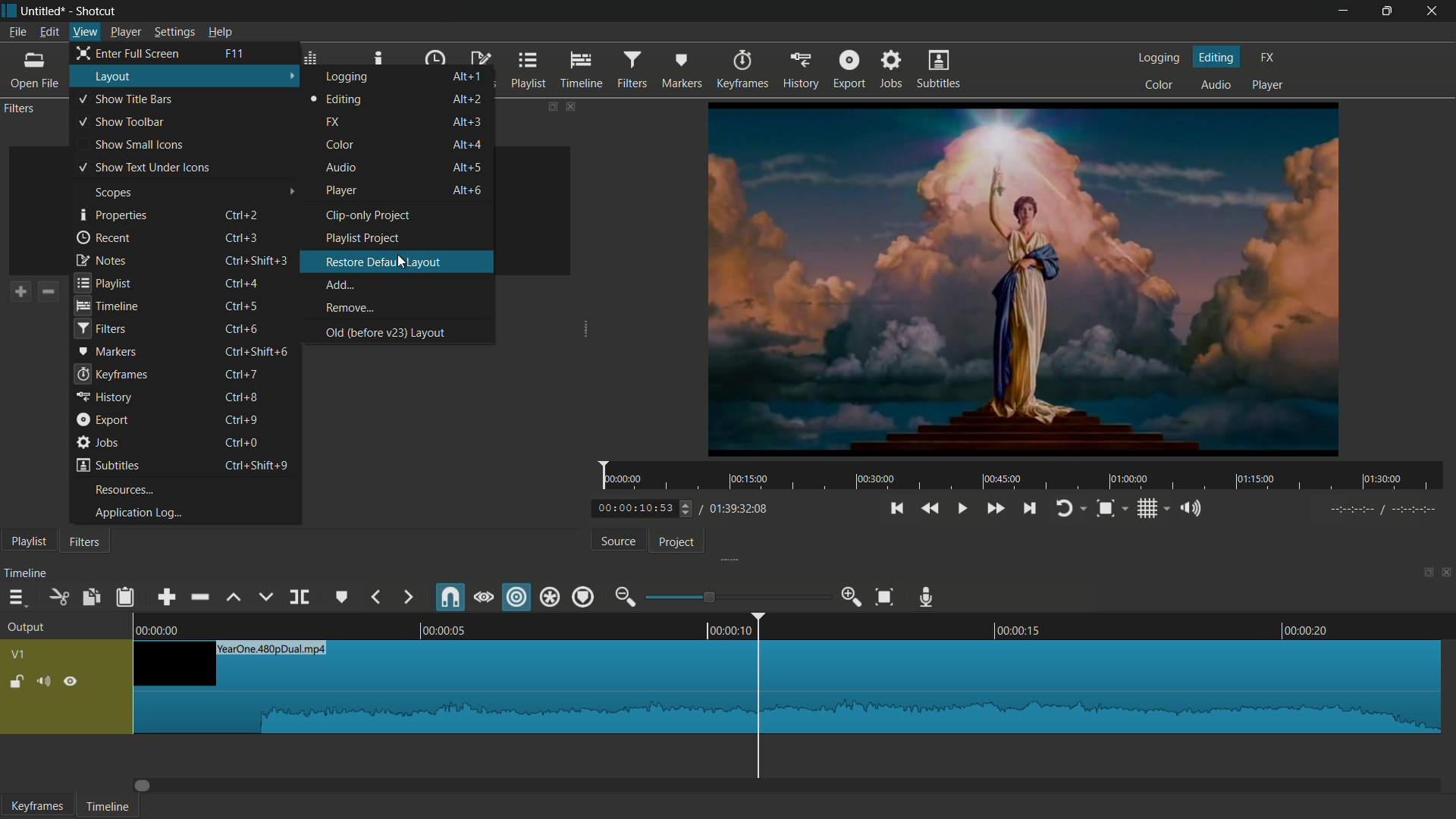  I want to click on quickly play forward, so click(996, 508).